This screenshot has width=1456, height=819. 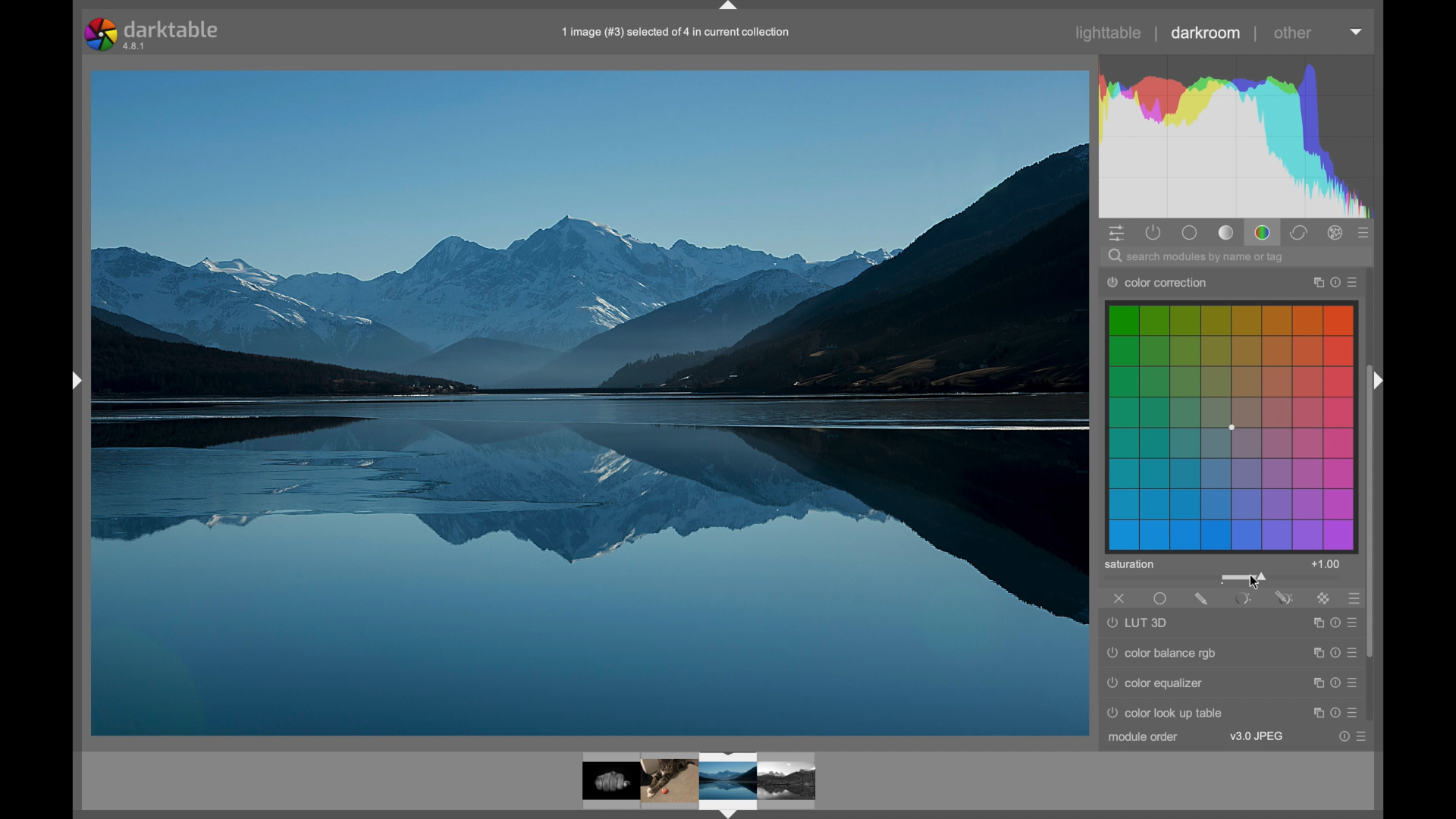 What do you see at coordinates (1324, 598) in the screenshot?
I see `raster mask` at bounding box center [1324, 598].